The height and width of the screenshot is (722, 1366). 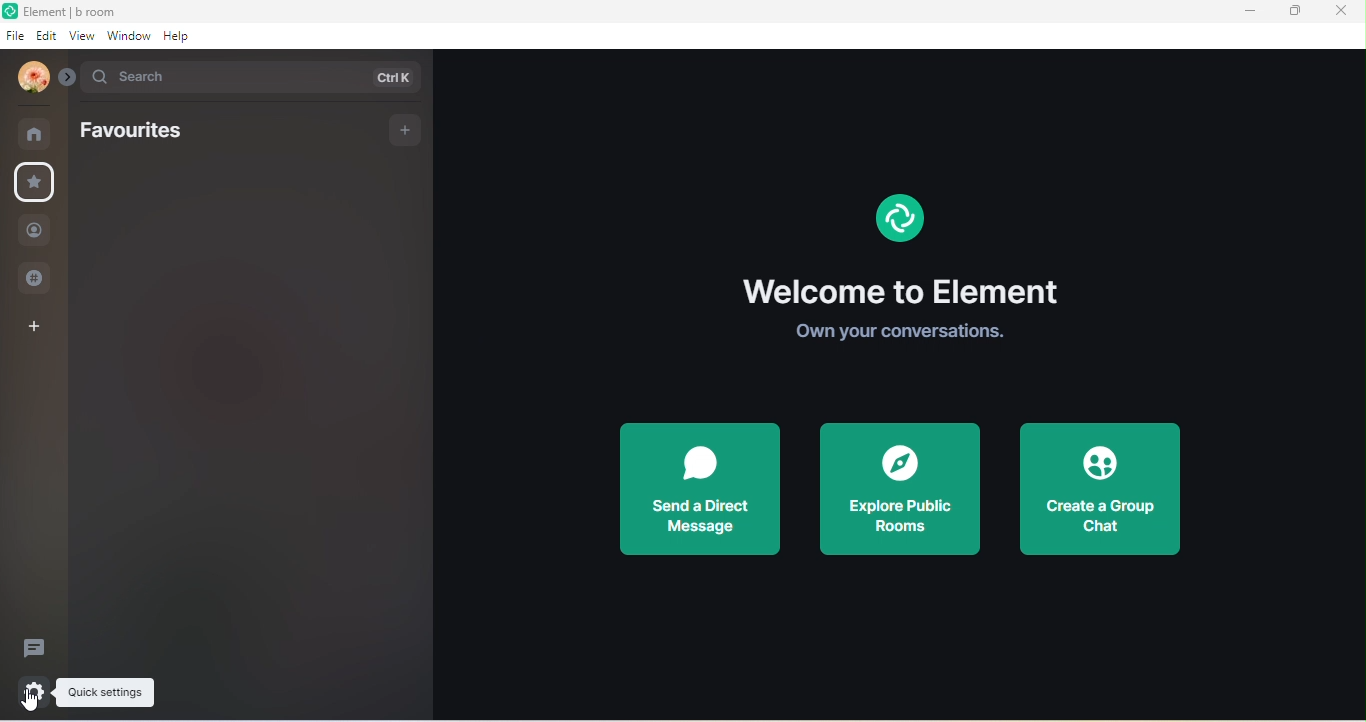 What do you see at coordinates (30, 689) in the screenshot?
I see `quick settings` at bounding box center [30, 689].